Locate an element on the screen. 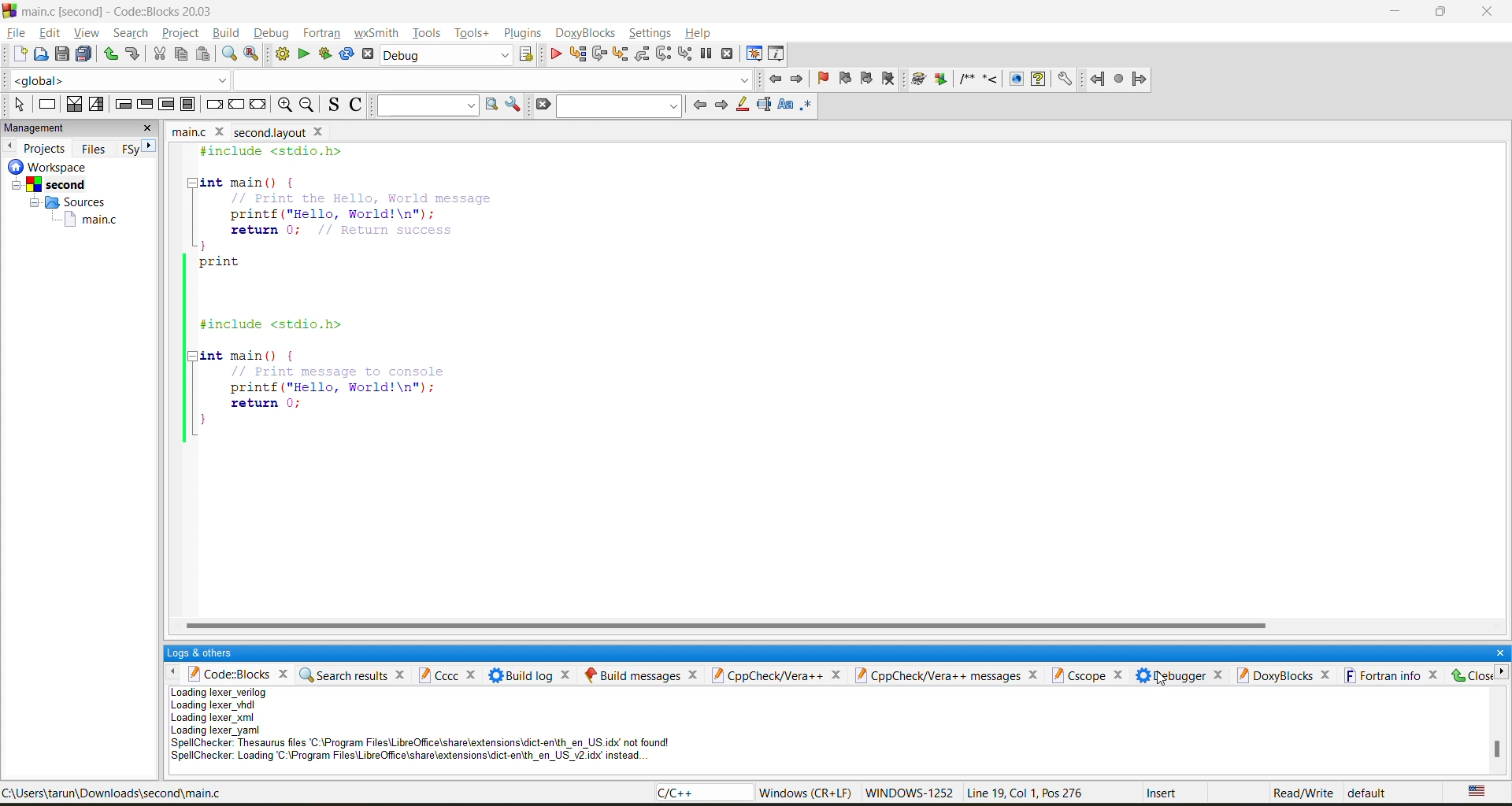 This screenshot has height=806, width=1512. cscope is located at coordinates (1090, 675).